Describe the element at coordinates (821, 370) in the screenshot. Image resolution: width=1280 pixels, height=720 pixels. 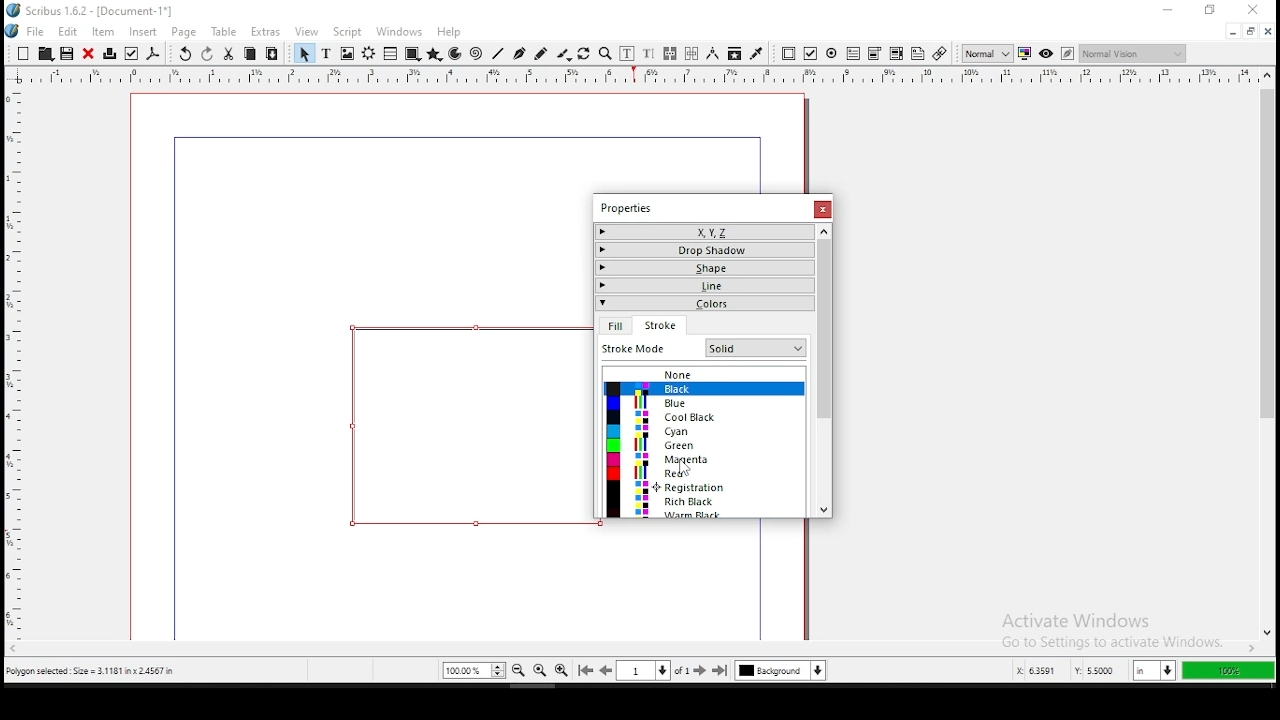
I see `scroll bar` at that location.